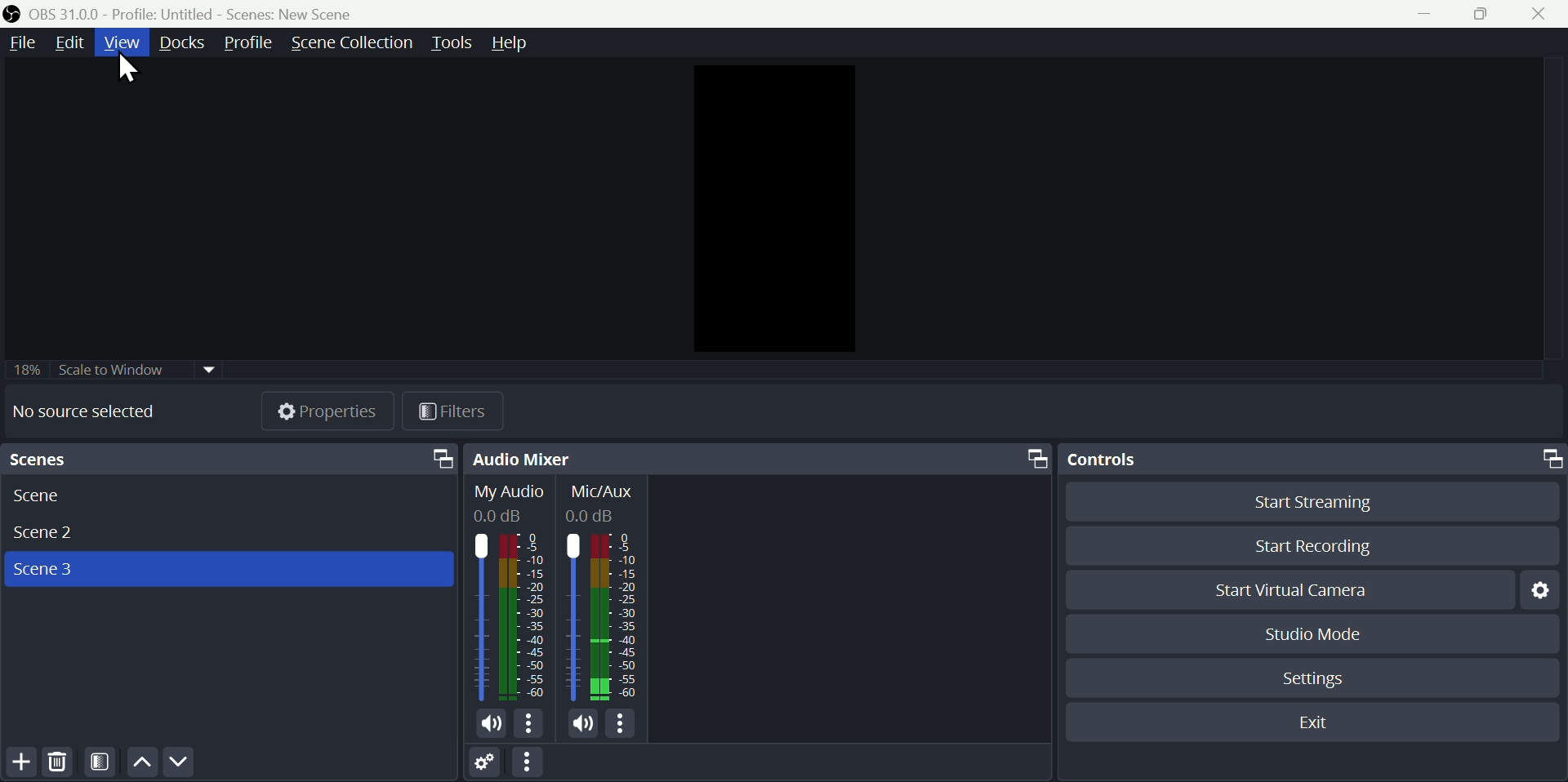 The image size is (1568, 782). Describe the element at coordinates (13, 13) in the screenshot. I see `OBS Desktop icon` at that location.